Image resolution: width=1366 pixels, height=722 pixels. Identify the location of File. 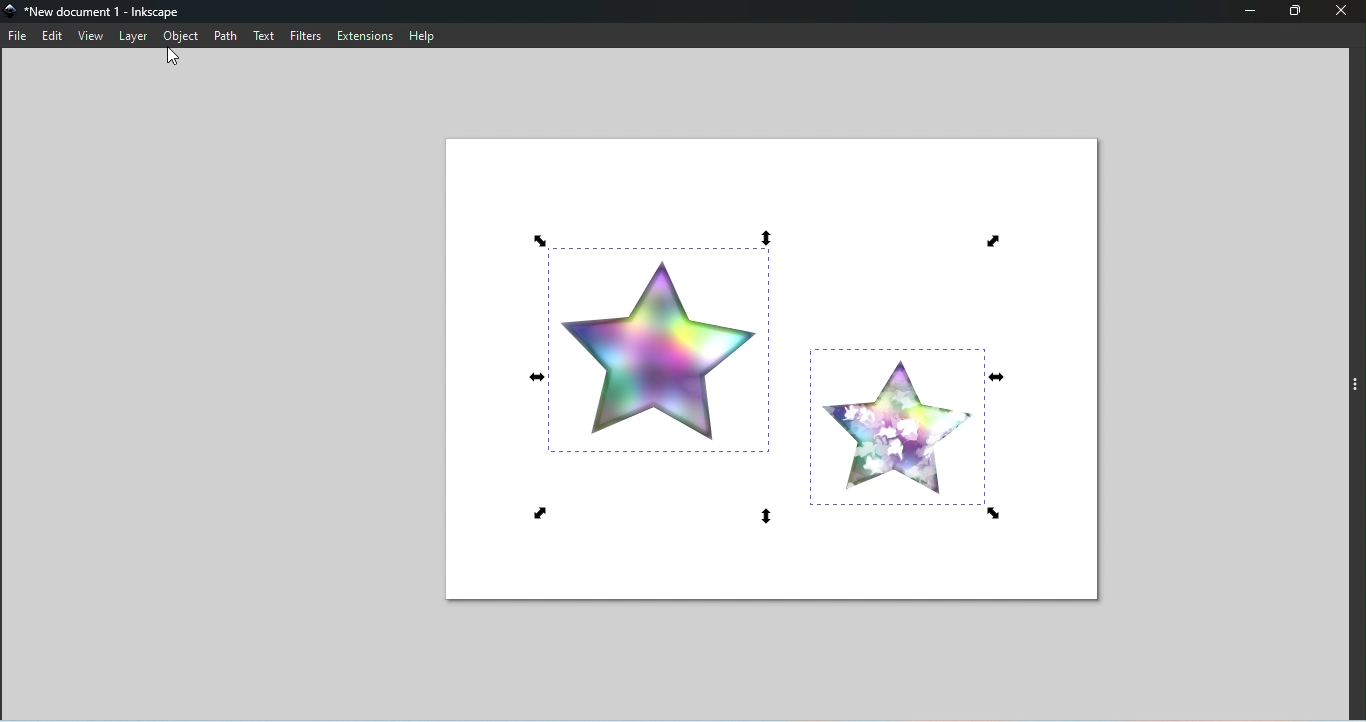
(17, 37).